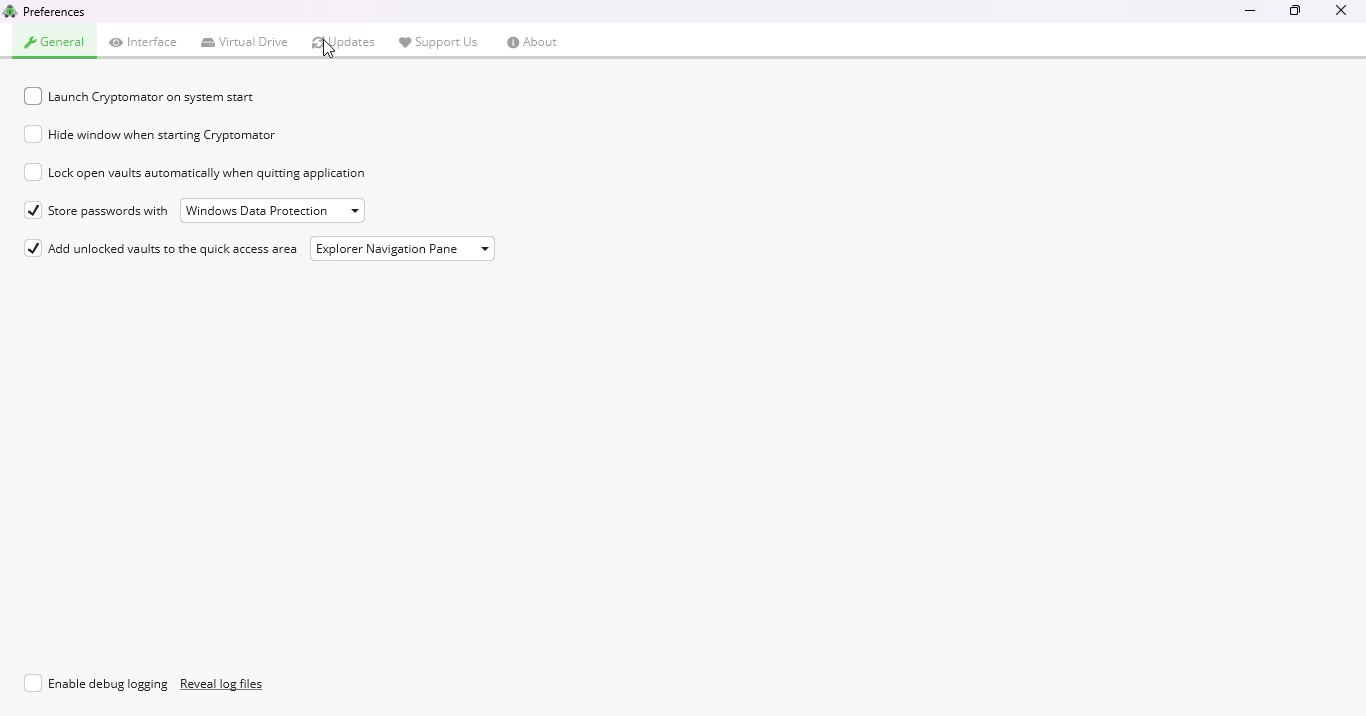 The height and width of the screenshot is (716, 1366). What do you see at coordinates (401, 249) in the screenshot?
I see `explorer navigation pane` at bounding box center [401, 249].